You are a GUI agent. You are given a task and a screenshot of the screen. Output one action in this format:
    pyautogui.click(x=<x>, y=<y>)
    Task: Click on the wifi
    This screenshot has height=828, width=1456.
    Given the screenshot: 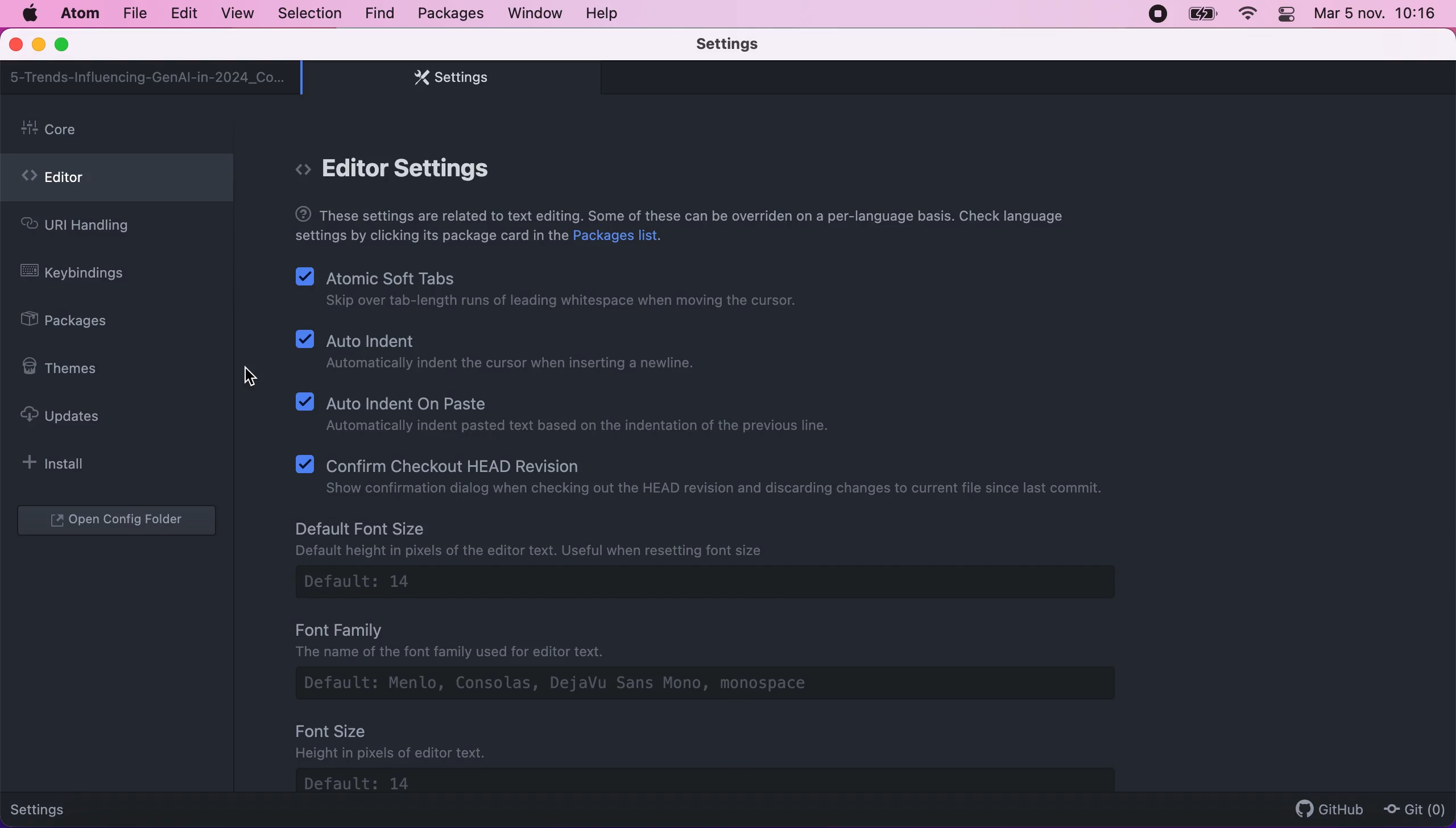 What is the action you would take?
    pyautogui.click(x=1246, y=14)
    